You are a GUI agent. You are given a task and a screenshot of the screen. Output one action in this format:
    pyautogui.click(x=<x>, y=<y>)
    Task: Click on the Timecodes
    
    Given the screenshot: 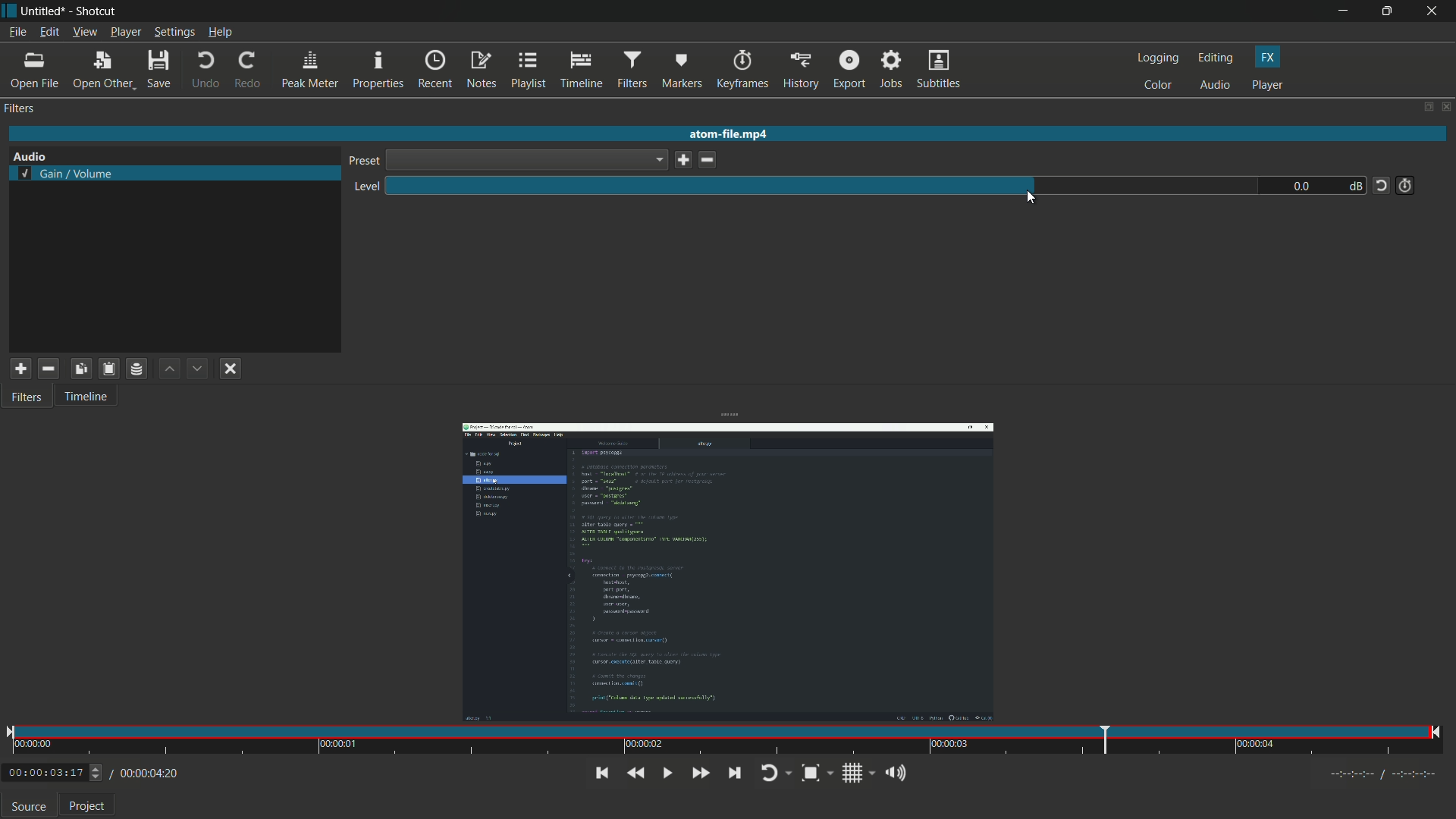 What is the action you would take?
    pyautogui.click(x=1385, y=777)
    